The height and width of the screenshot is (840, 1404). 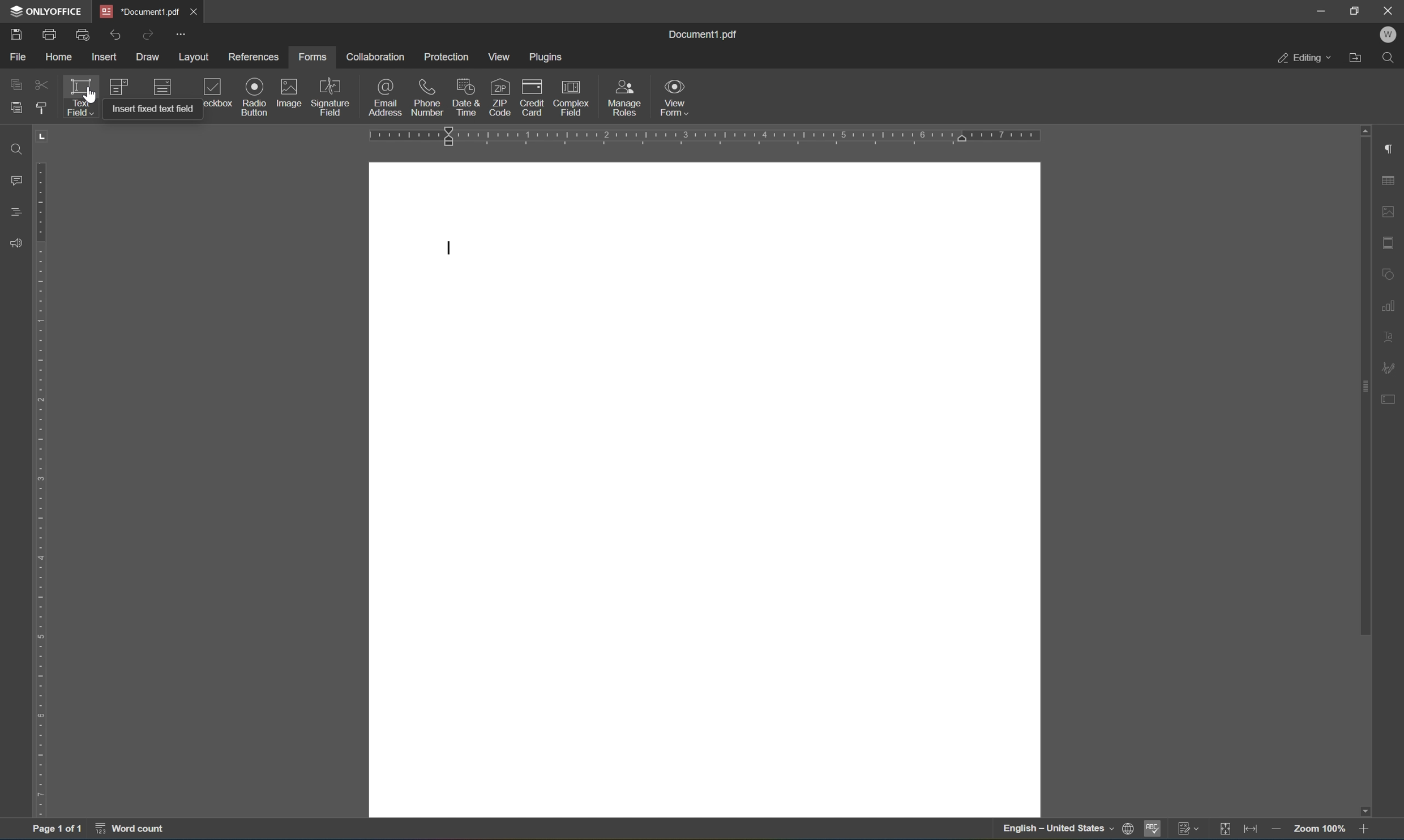 What do you see at coordinates (625, 97) in the screenshot?
I see `manage roles` at bounding box center [625, 97].